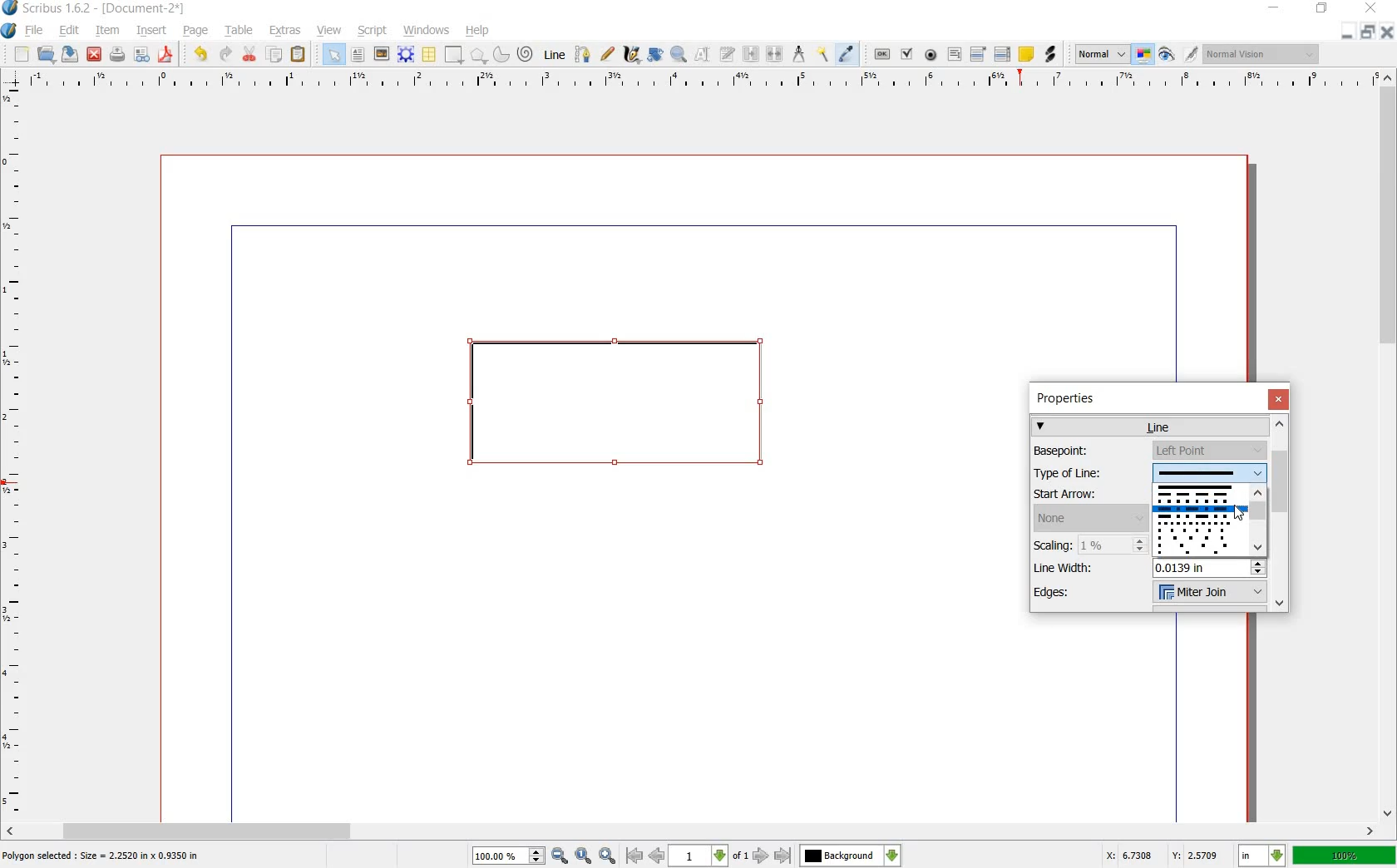 This screenshot has width=1397, height=868. Describe the element at coordinates (560, 856) in the screenshot. I see `zoom out` at that location.